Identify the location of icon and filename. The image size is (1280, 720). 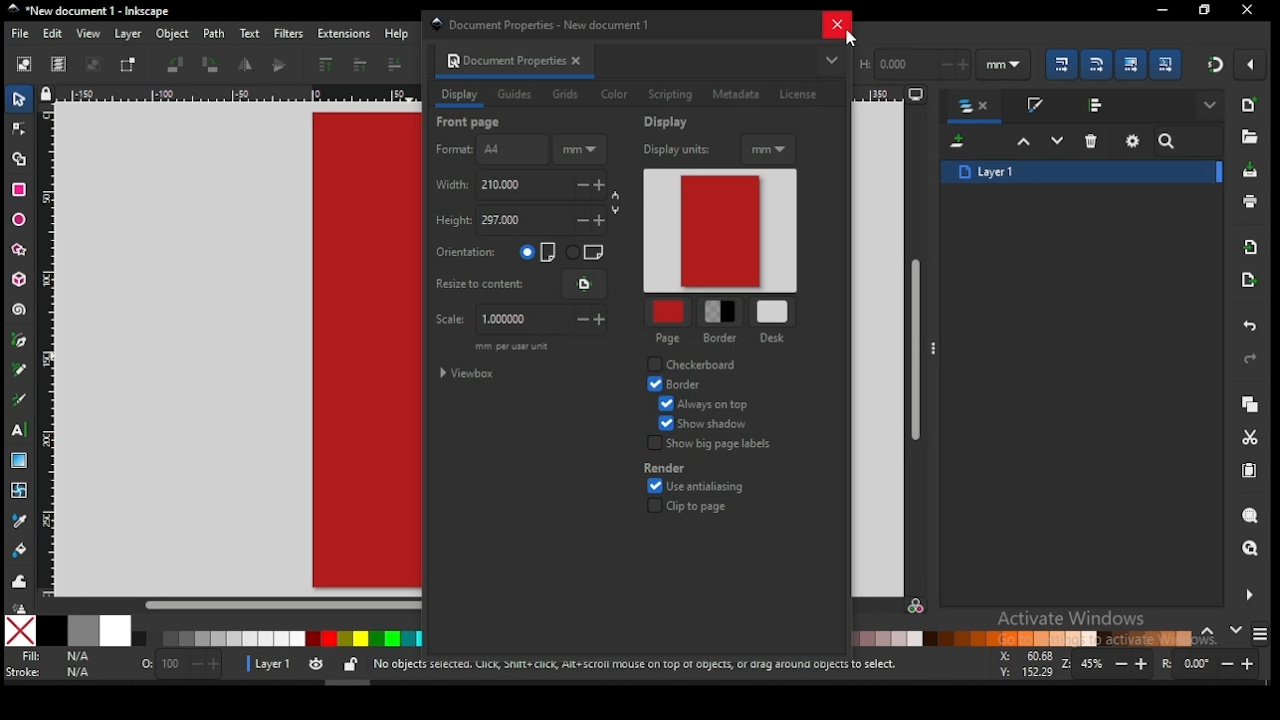
(90, 11).